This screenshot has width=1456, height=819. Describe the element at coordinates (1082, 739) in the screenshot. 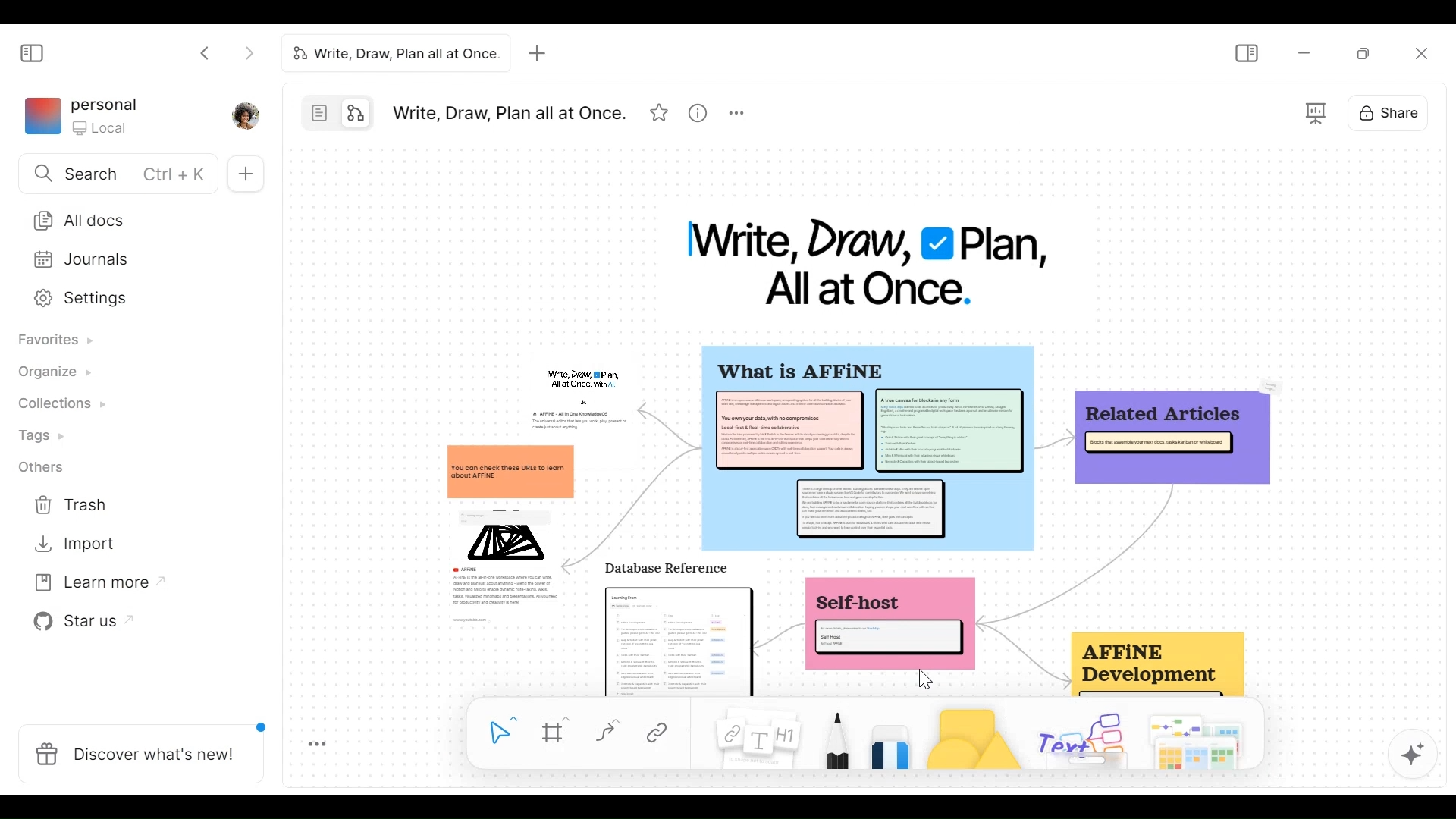

I see `Others` at that location.